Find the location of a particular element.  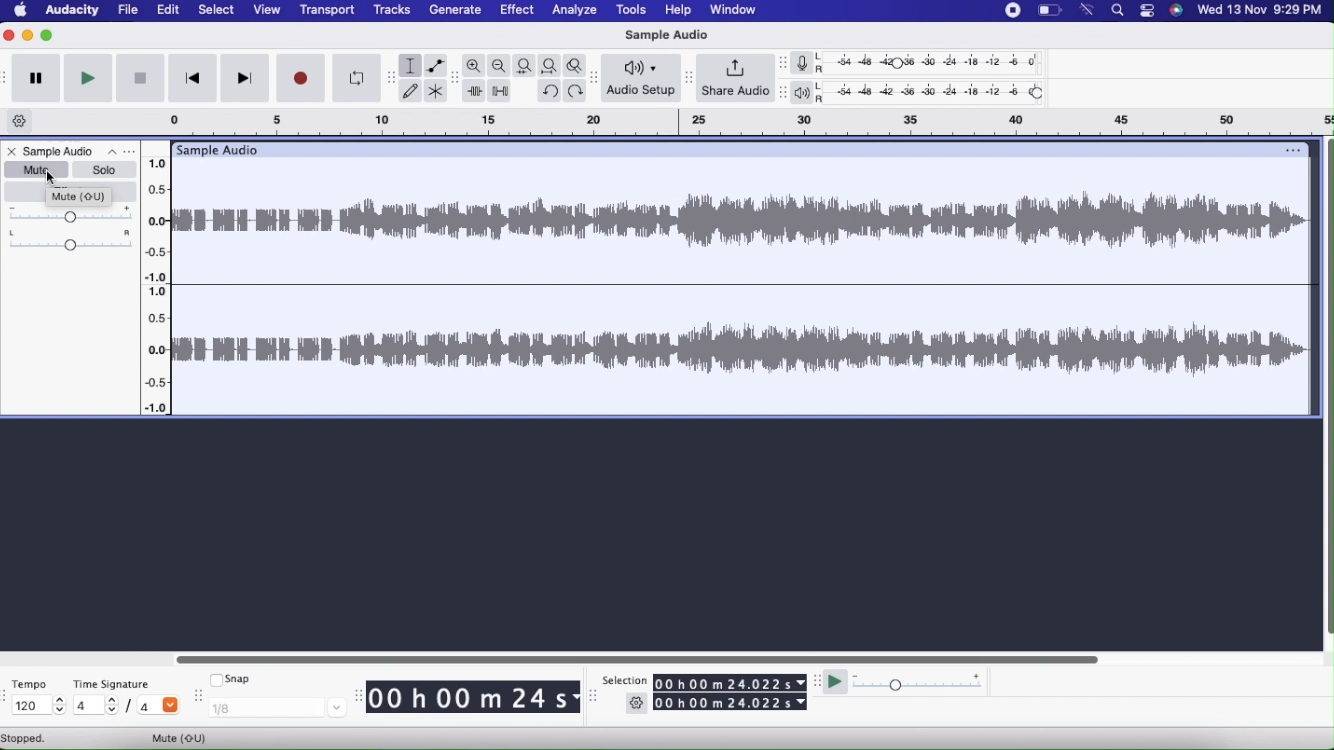

4 is located at coordinates (158, 707).